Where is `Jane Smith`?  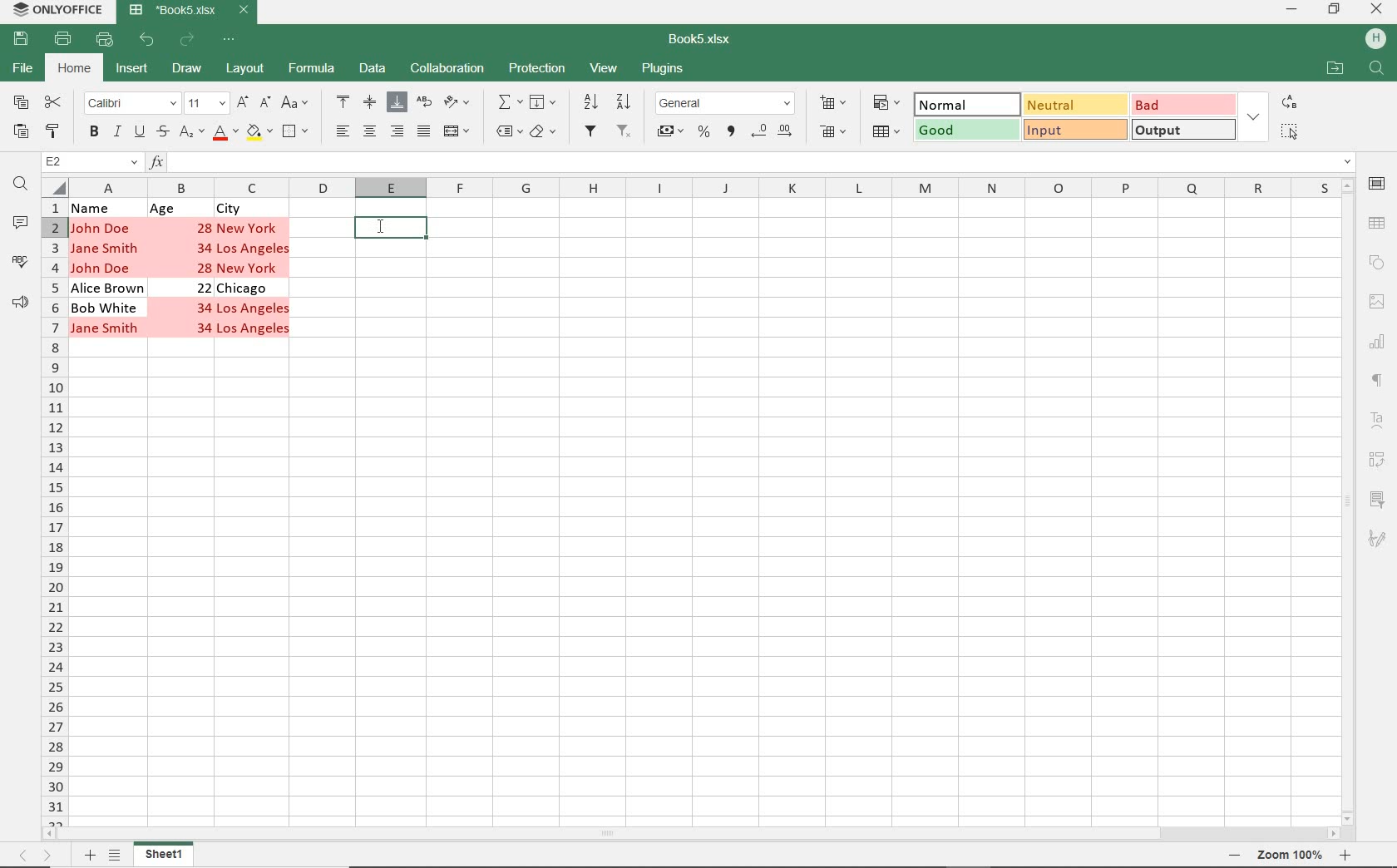
Jane Smith is located at coordinates (107, 247).